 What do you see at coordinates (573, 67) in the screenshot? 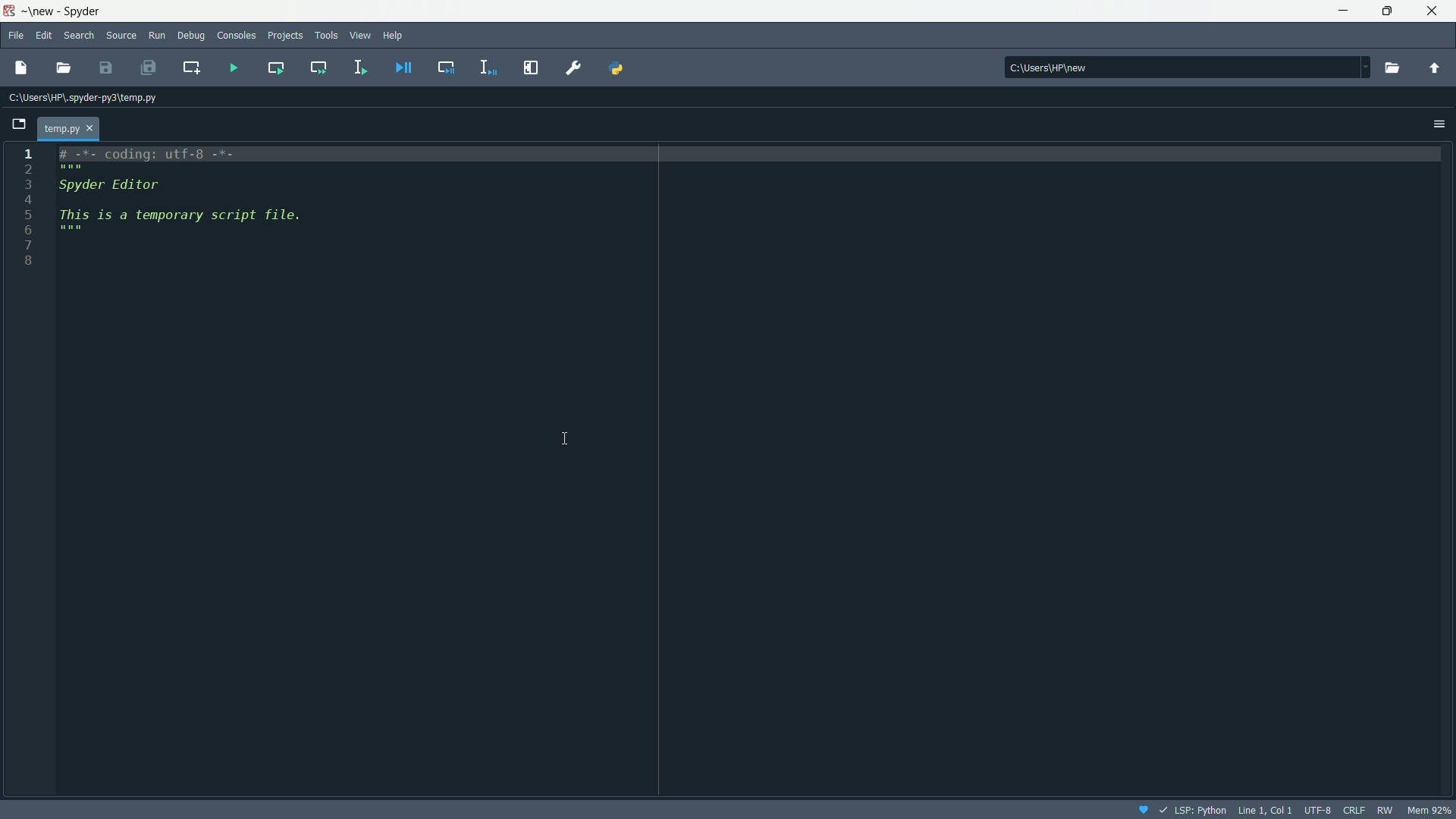
I see `Preferences` at bounding box center [573, 67].